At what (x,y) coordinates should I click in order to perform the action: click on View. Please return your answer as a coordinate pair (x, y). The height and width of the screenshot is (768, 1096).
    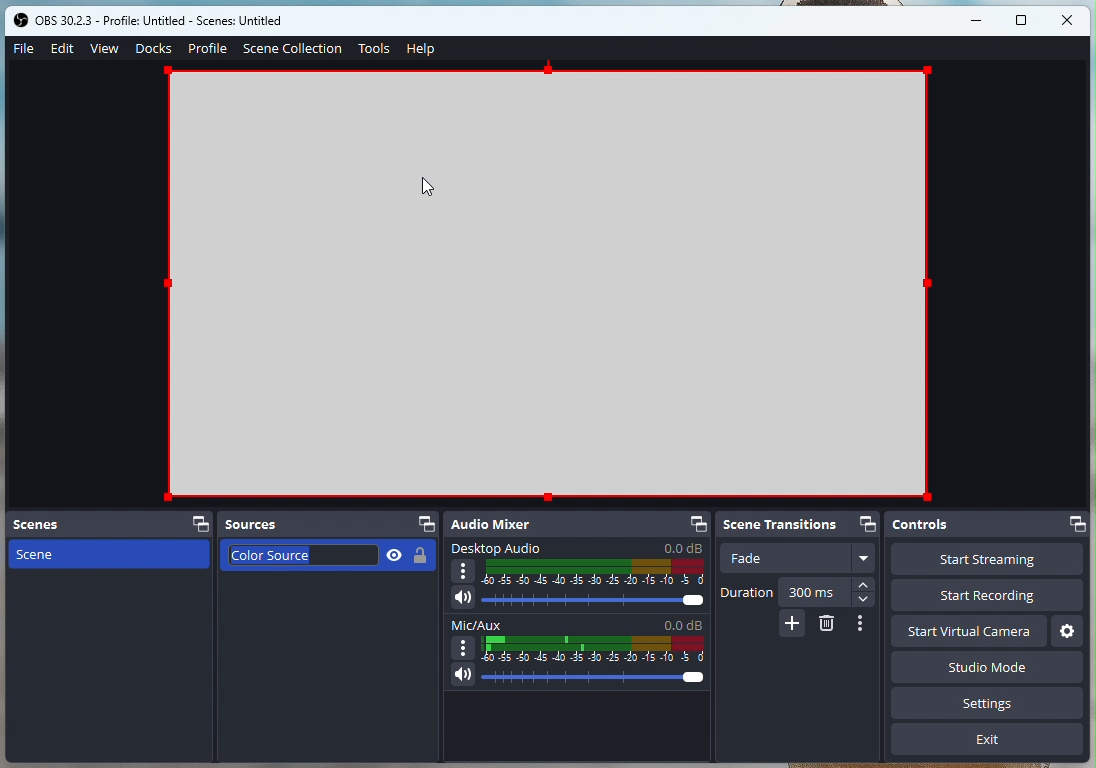
    Looking at the image, I should click on (105, 47).